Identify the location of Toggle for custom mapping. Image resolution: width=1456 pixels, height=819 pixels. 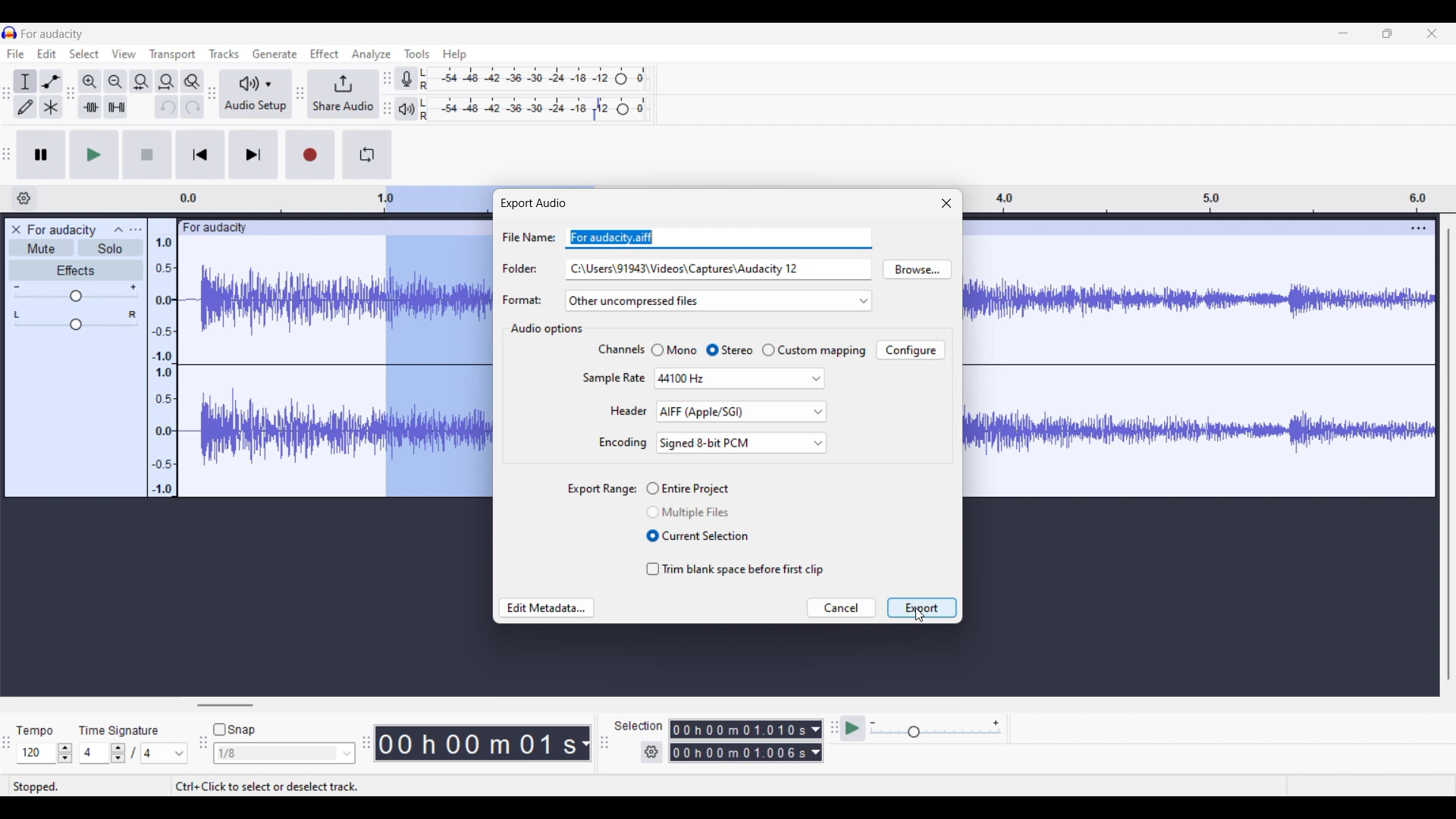
(814, 350).